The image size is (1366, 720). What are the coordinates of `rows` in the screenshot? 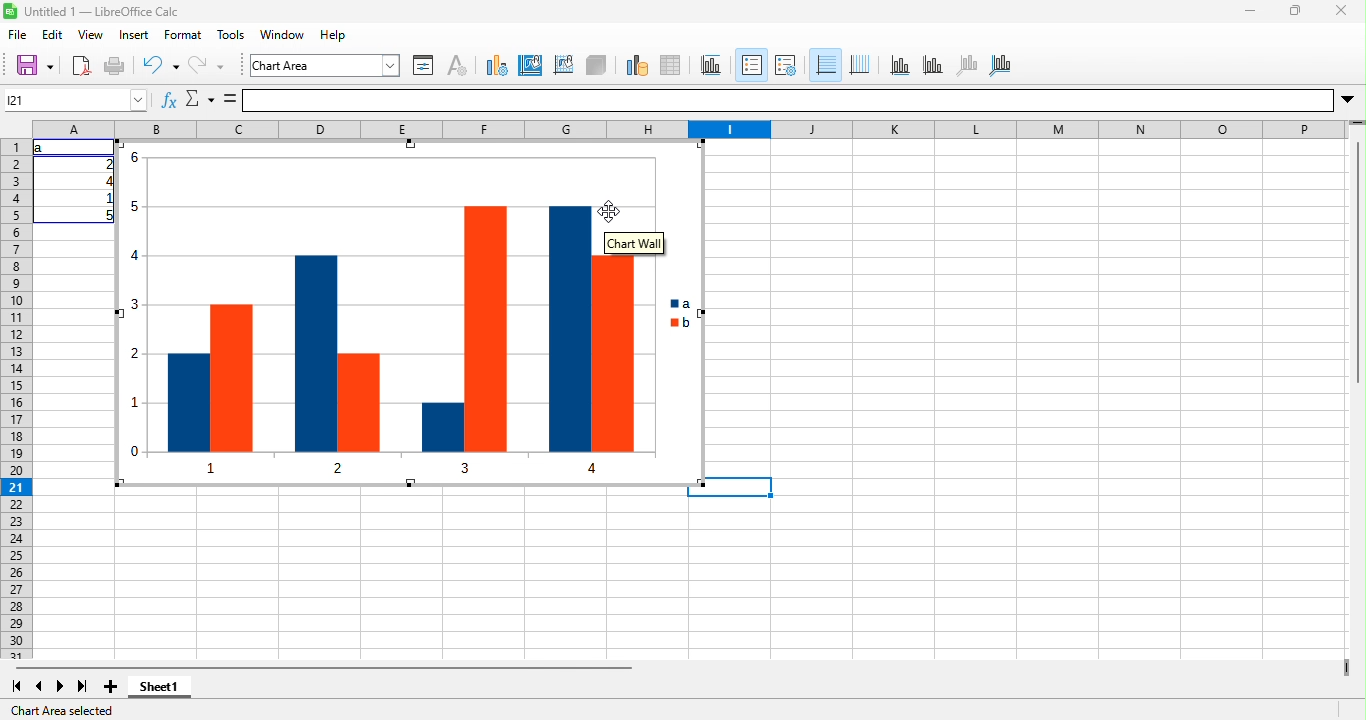 It's located at (17, 399).